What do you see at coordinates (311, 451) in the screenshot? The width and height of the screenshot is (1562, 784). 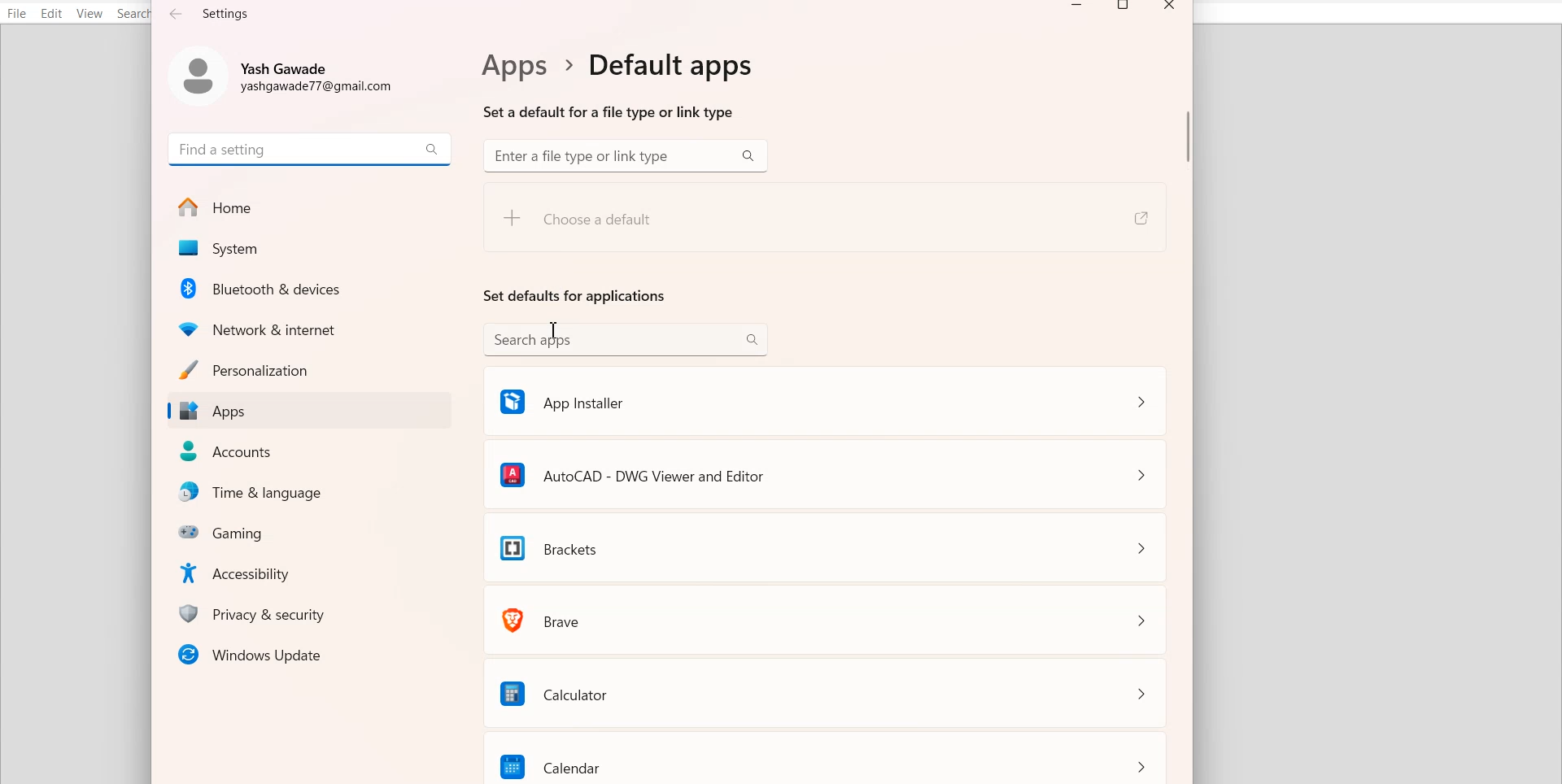 I see `Accounts` at bounding box center [311, 451].